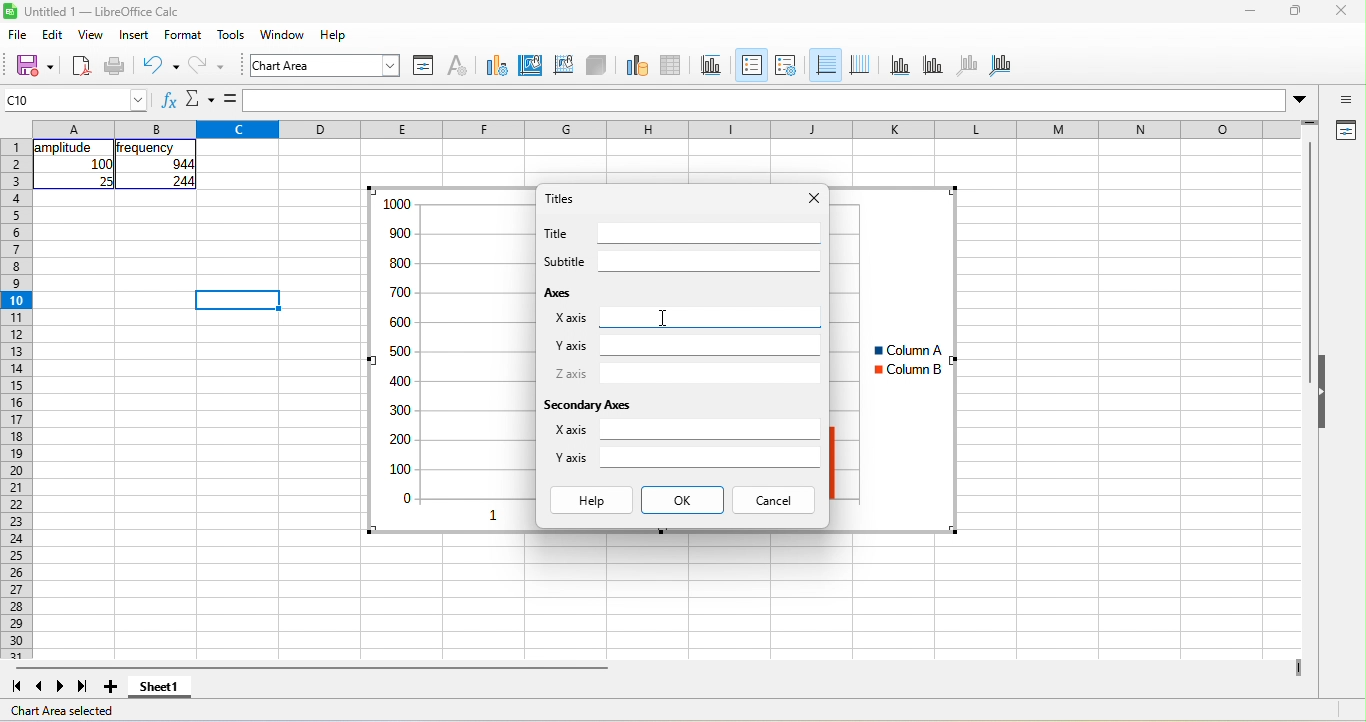  Describe the element at coordinates (450, 360) in the screenshot. I see `Column chart` at that location.